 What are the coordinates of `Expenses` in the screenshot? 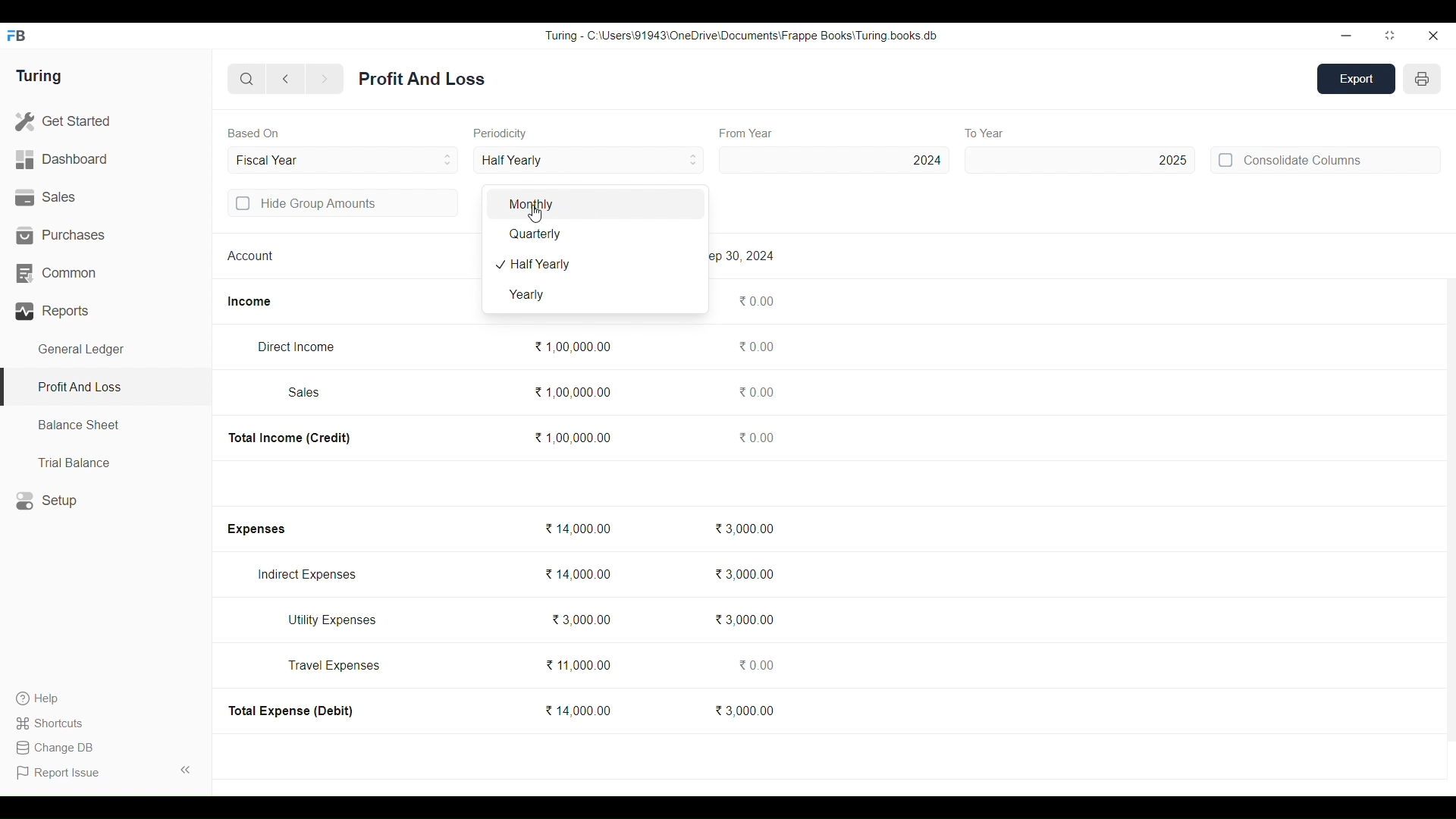 It's located at (255, 529).